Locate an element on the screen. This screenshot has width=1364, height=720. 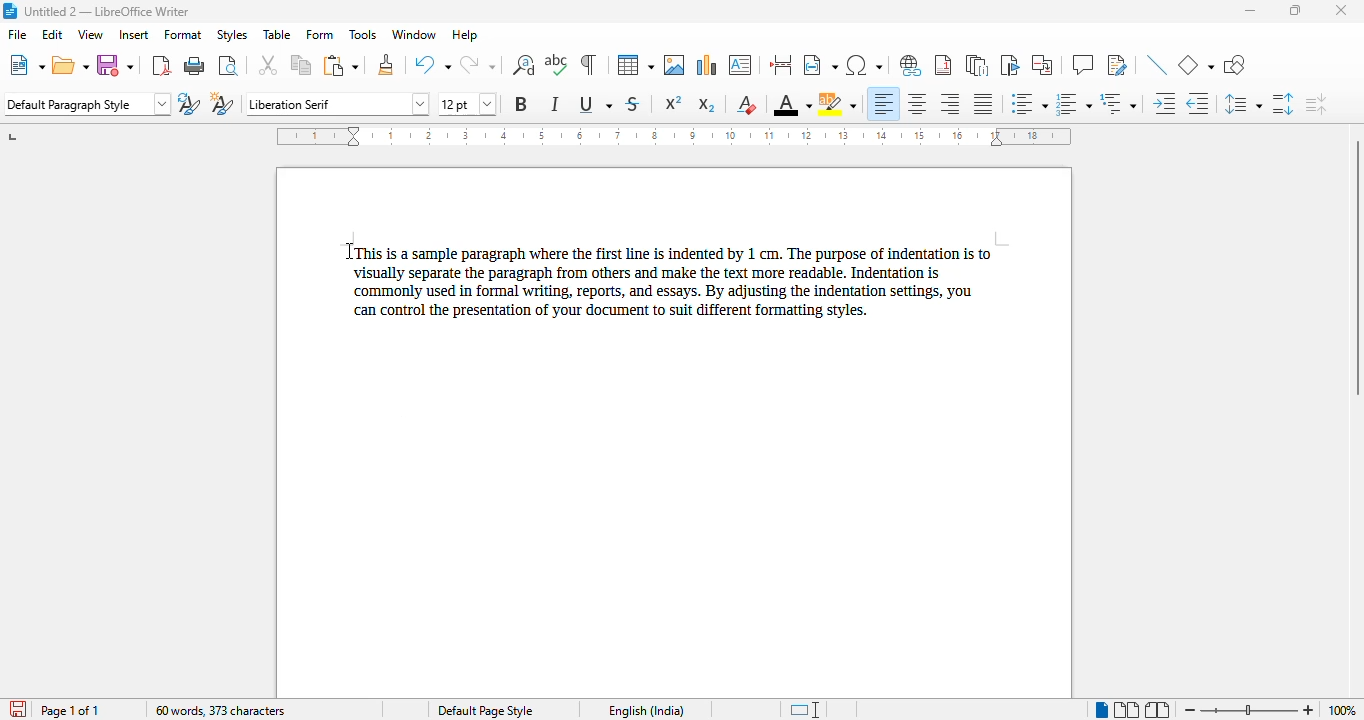
underline is located at coordinates (594, 105).